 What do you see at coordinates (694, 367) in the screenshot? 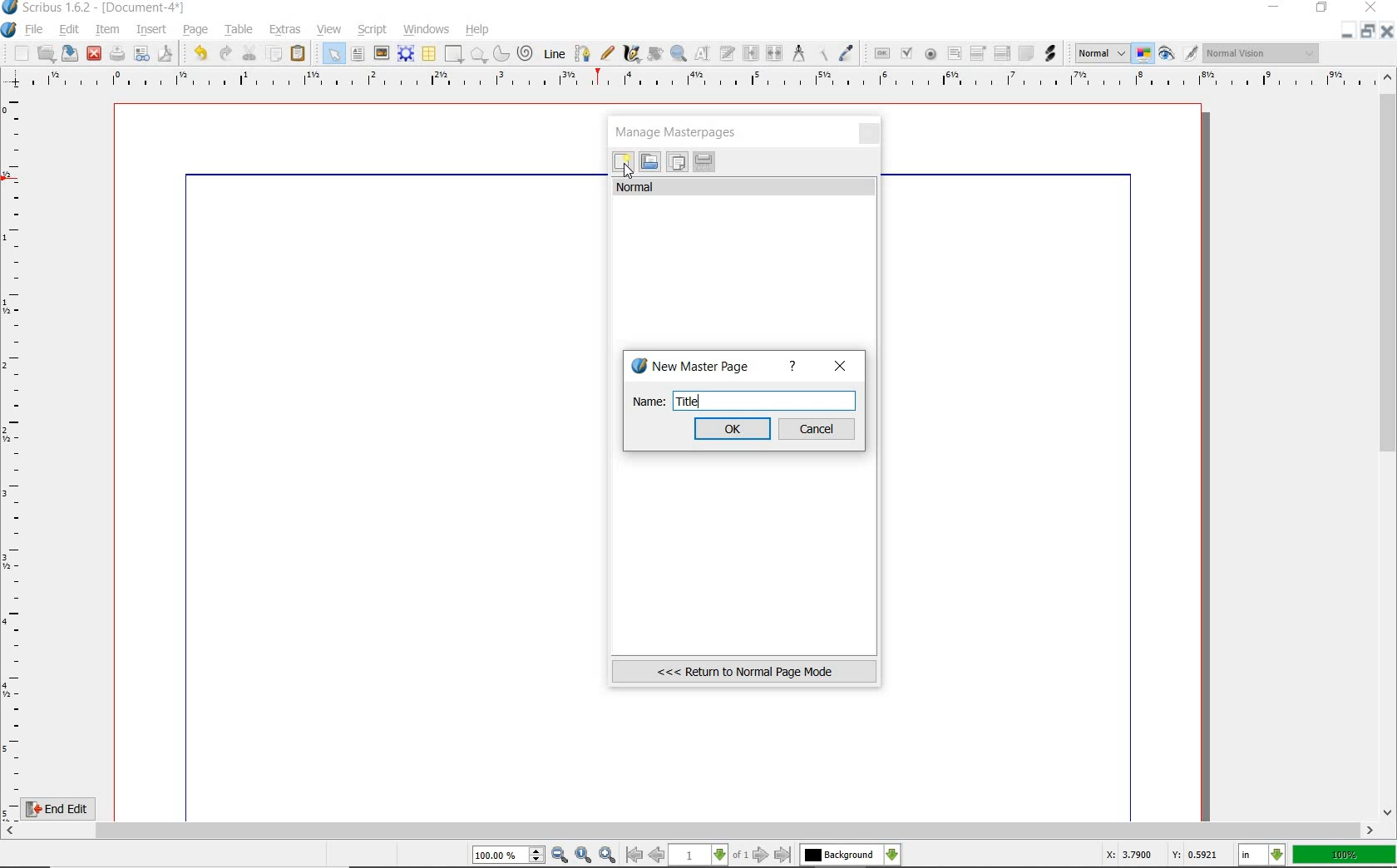
I see `new master page` at bounding box center [694, 367].